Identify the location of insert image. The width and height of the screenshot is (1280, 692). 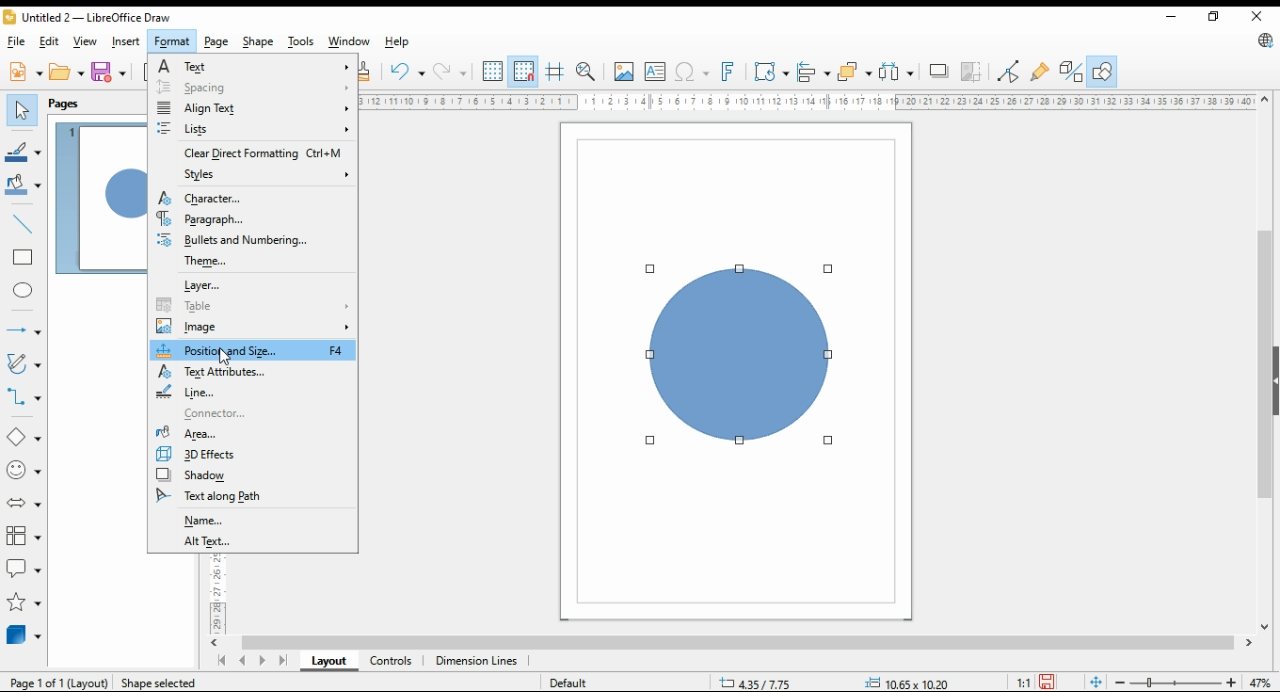
(624, 71).